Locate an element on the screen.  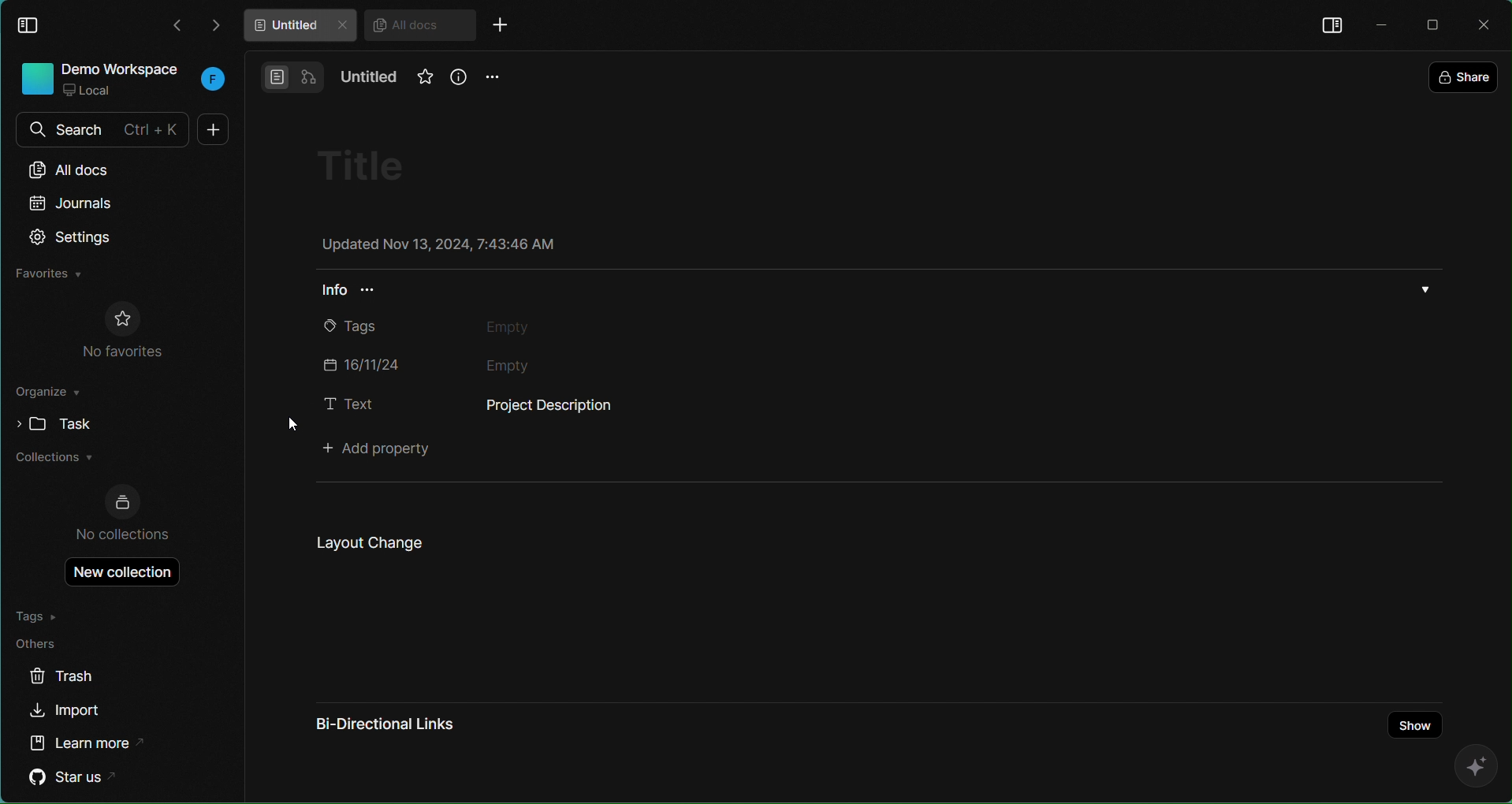
x is located at coordinates (1487, 25).